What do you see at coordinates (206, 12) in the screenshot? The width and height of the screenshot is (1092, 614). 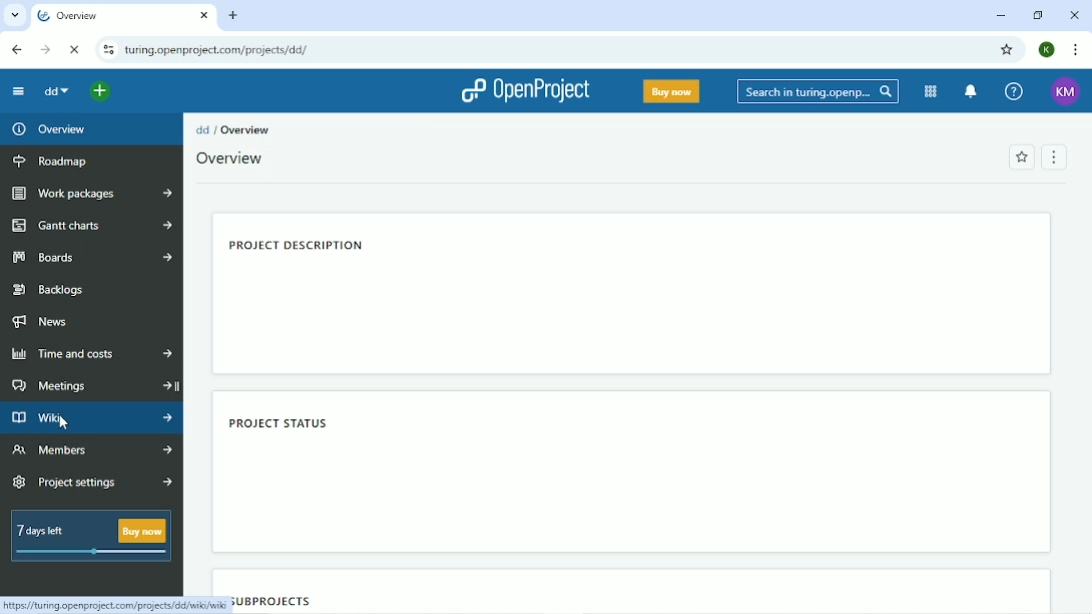 I see `close tab` at bounding box center [206, 12].